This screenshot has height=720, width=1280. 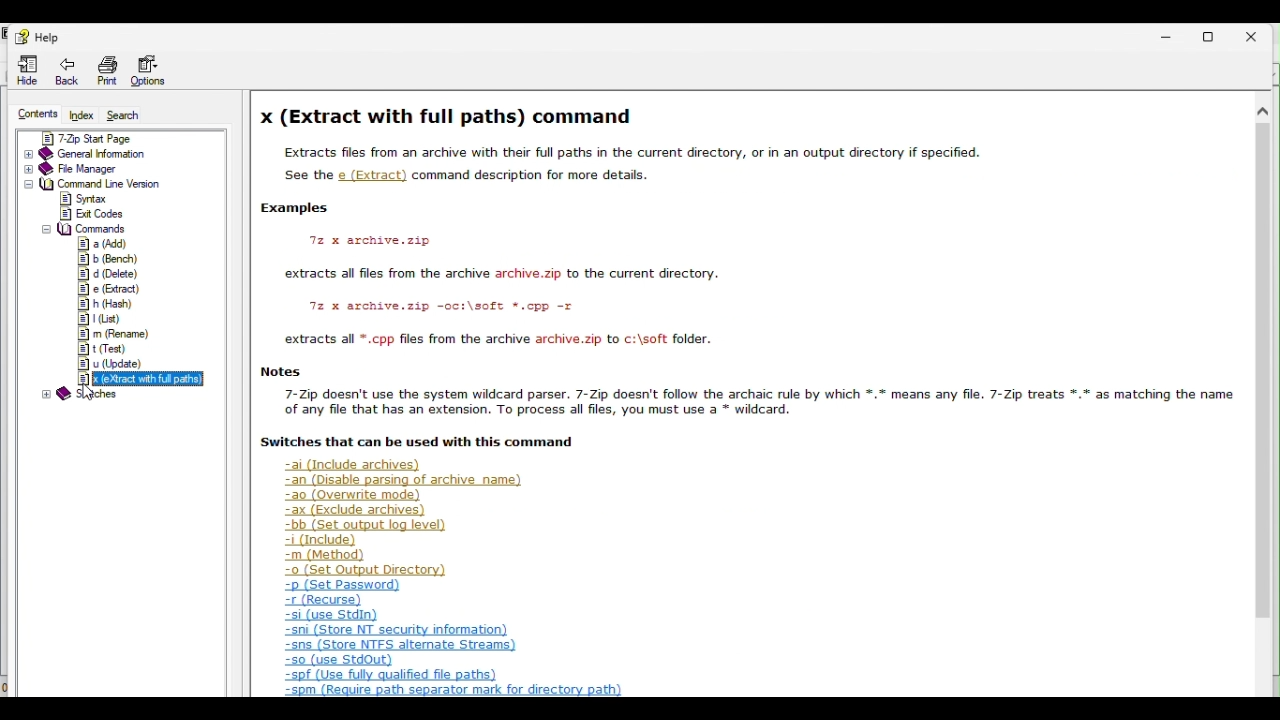 I want to click on File Manager, so click(x=744, y=113).